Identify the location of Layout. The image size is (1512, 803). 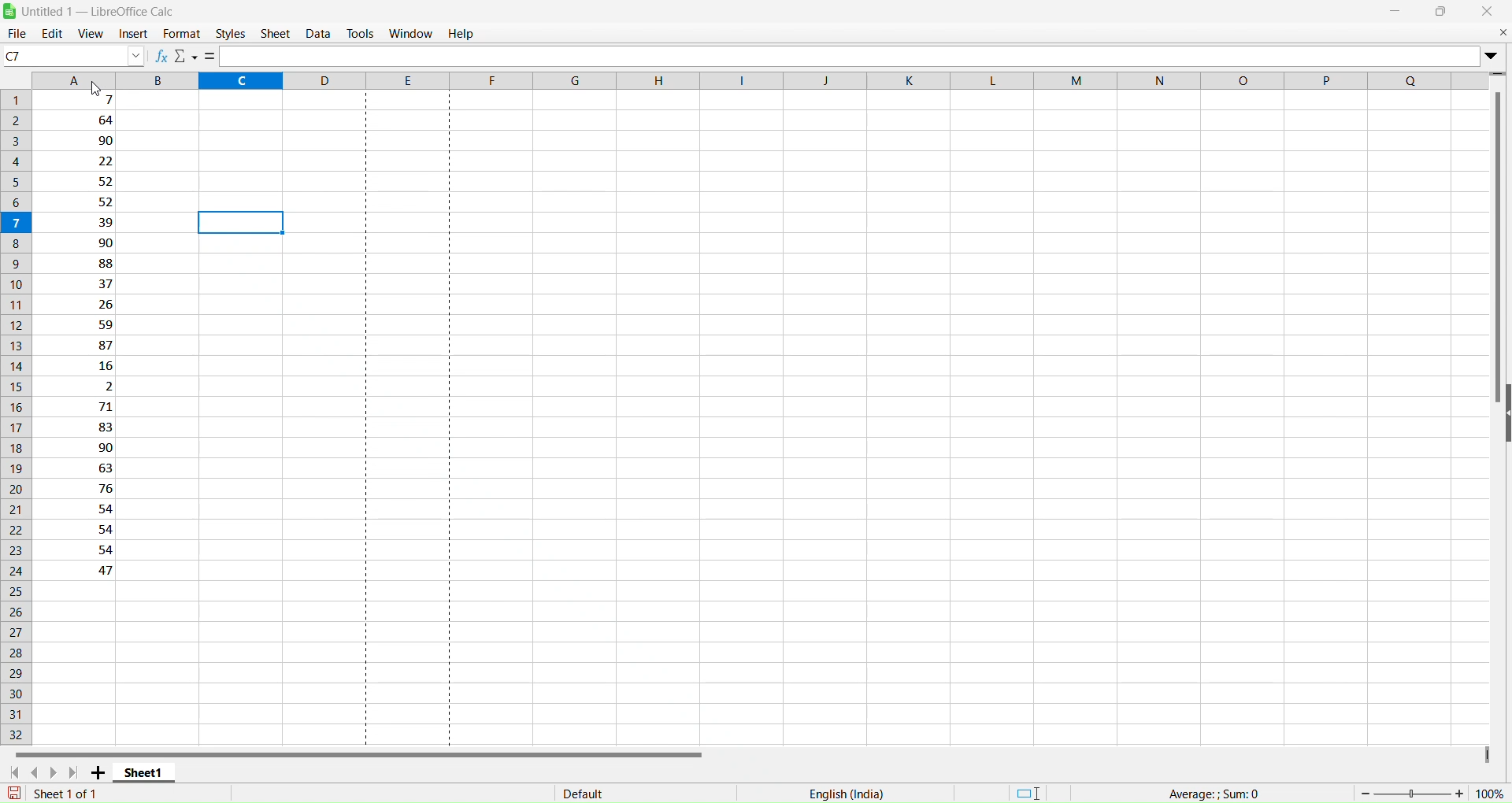
(1029, 791).